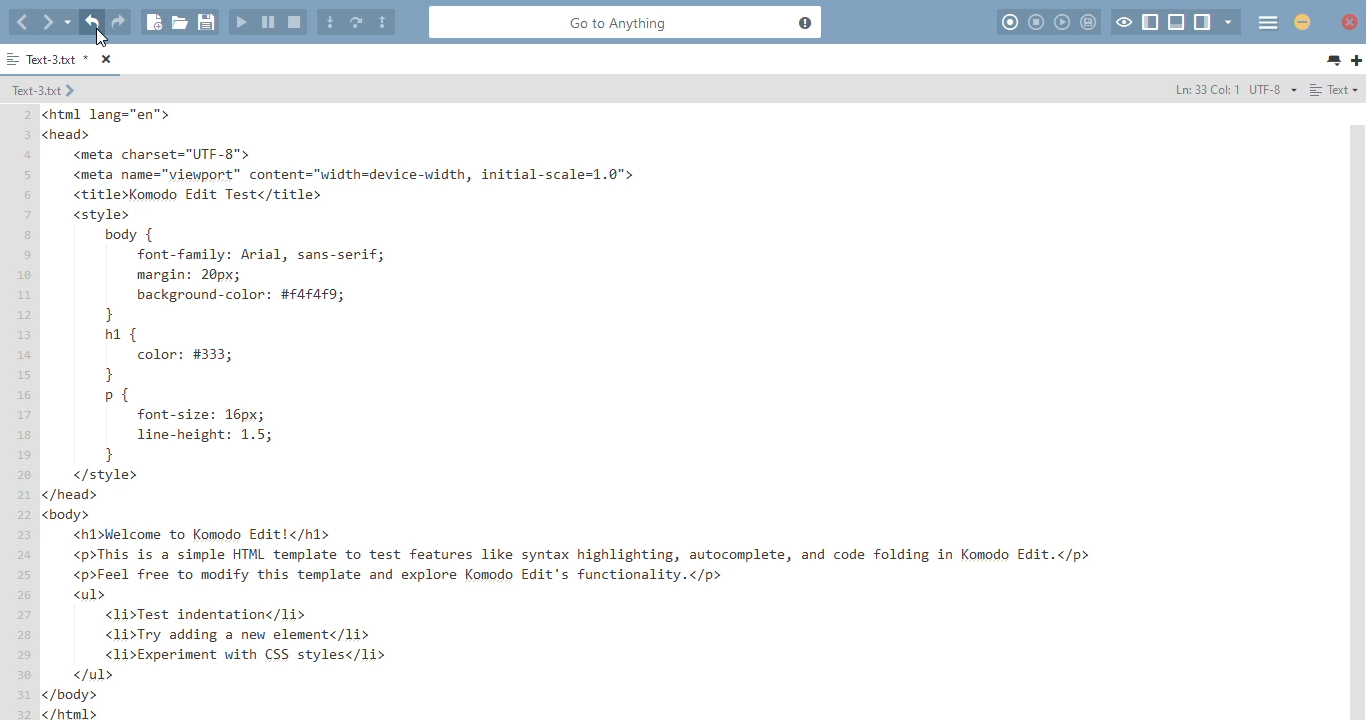 This screenshot has width=1366, height=720. What do you see at coordinates (686, 412) in the screenshot?
I see `code` at bounding box center [686, 412].